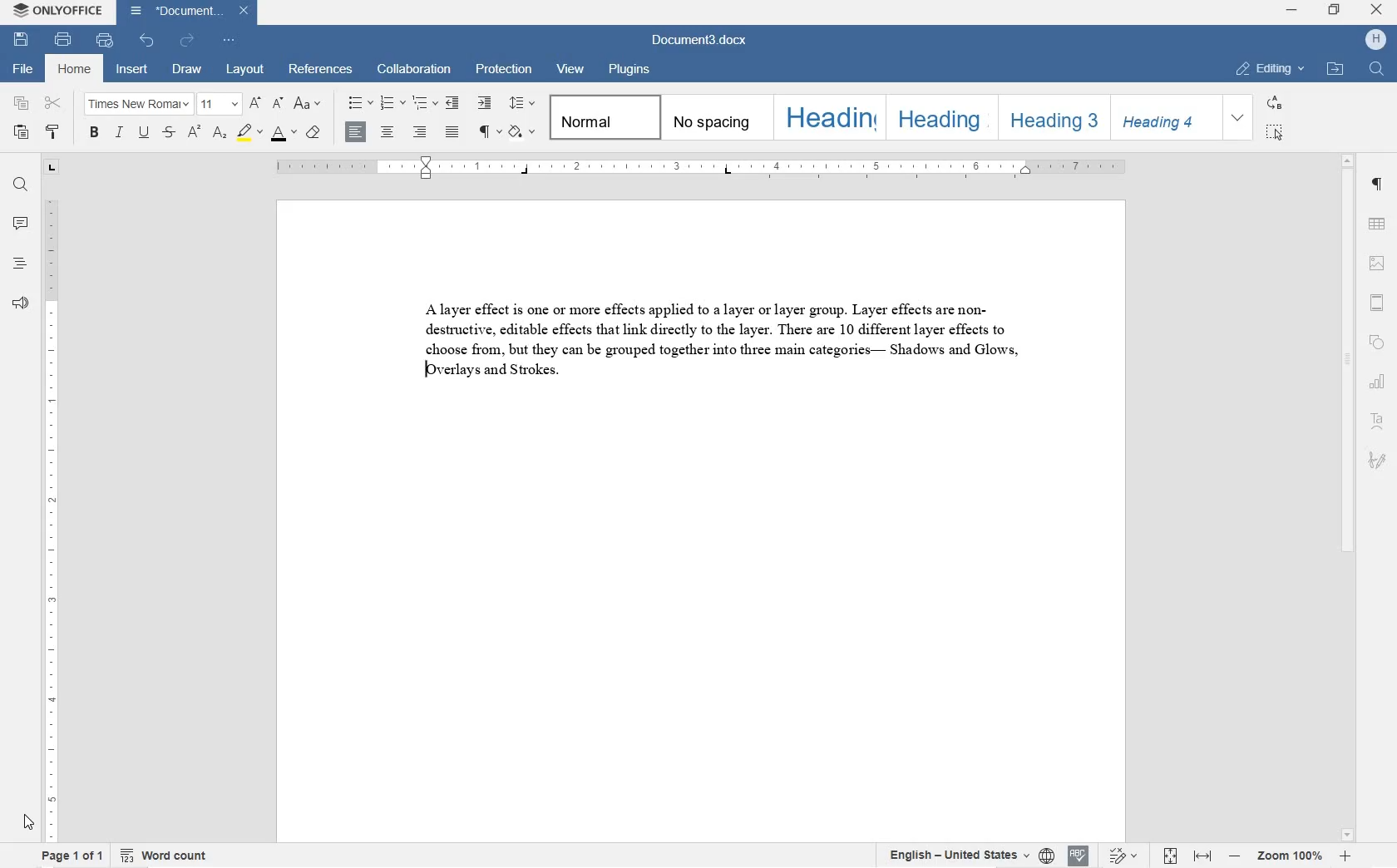  Describe the element at coordinates (323, 70) in the screenshot. I see `references` at that location.